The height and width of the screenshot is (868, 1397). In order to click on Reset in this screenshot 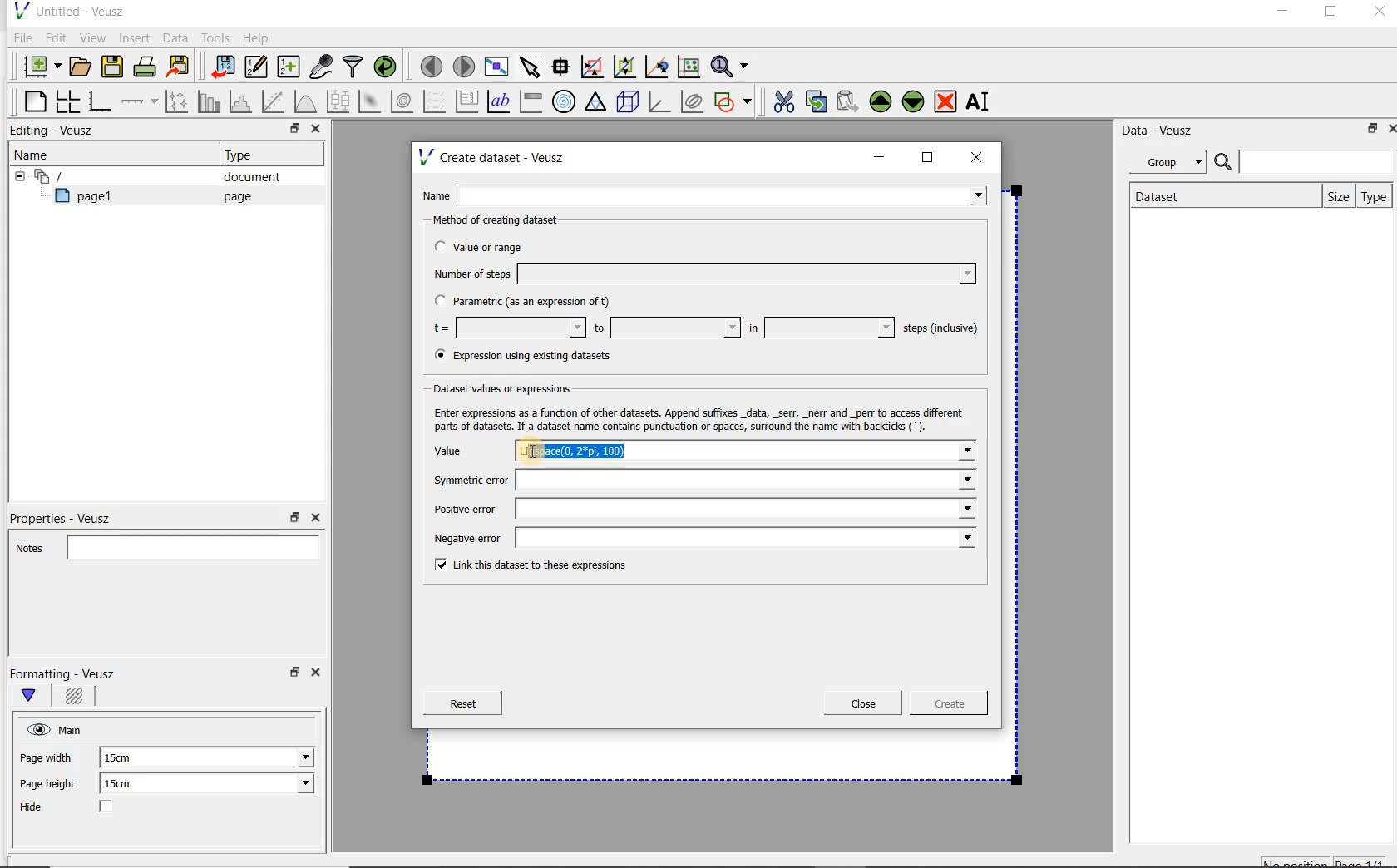, I will do `click(462, 703)`.